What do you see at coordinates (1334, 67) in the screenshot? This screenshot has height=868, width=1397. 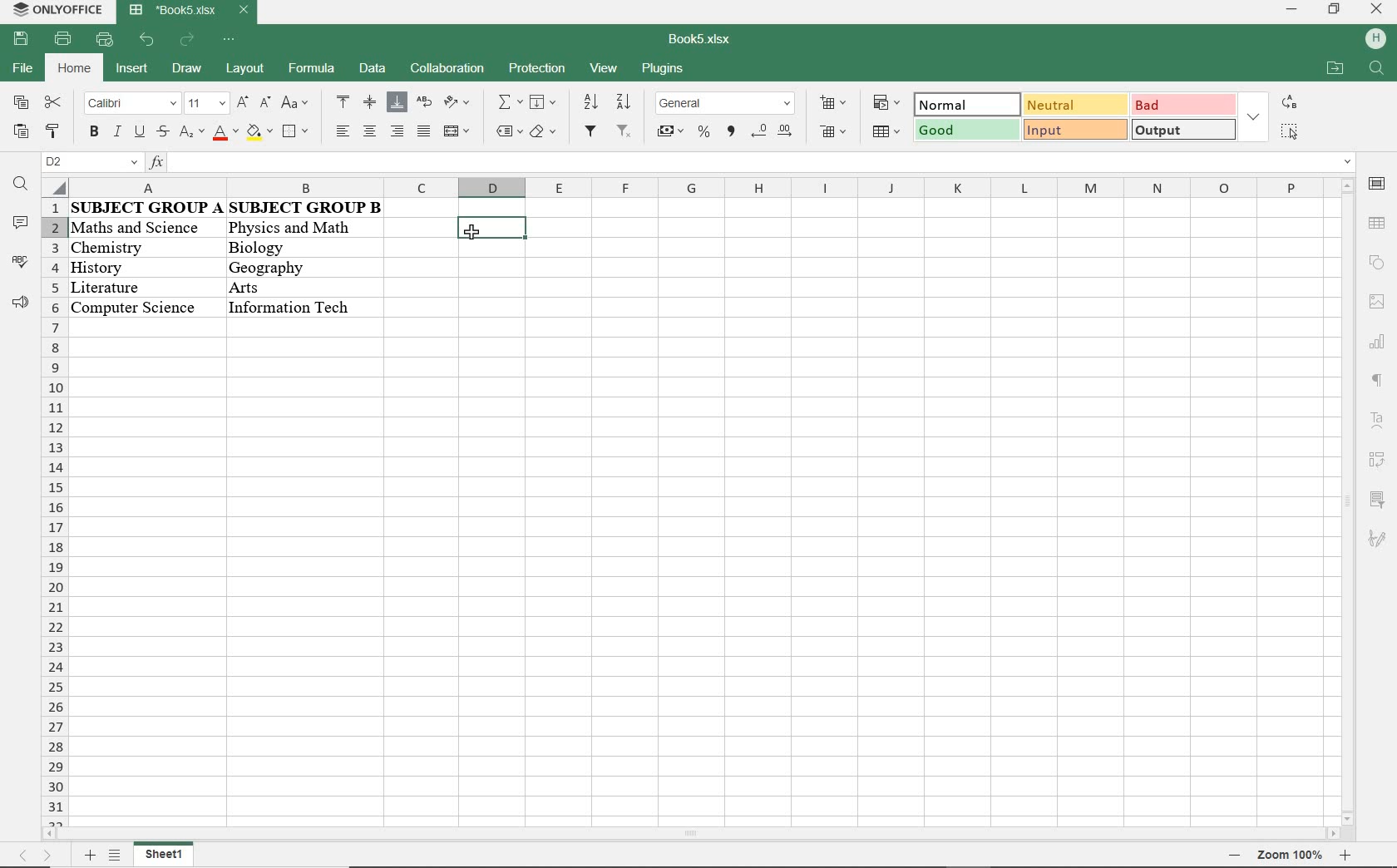 I see `open file location` at bounding box center [1334, 67].